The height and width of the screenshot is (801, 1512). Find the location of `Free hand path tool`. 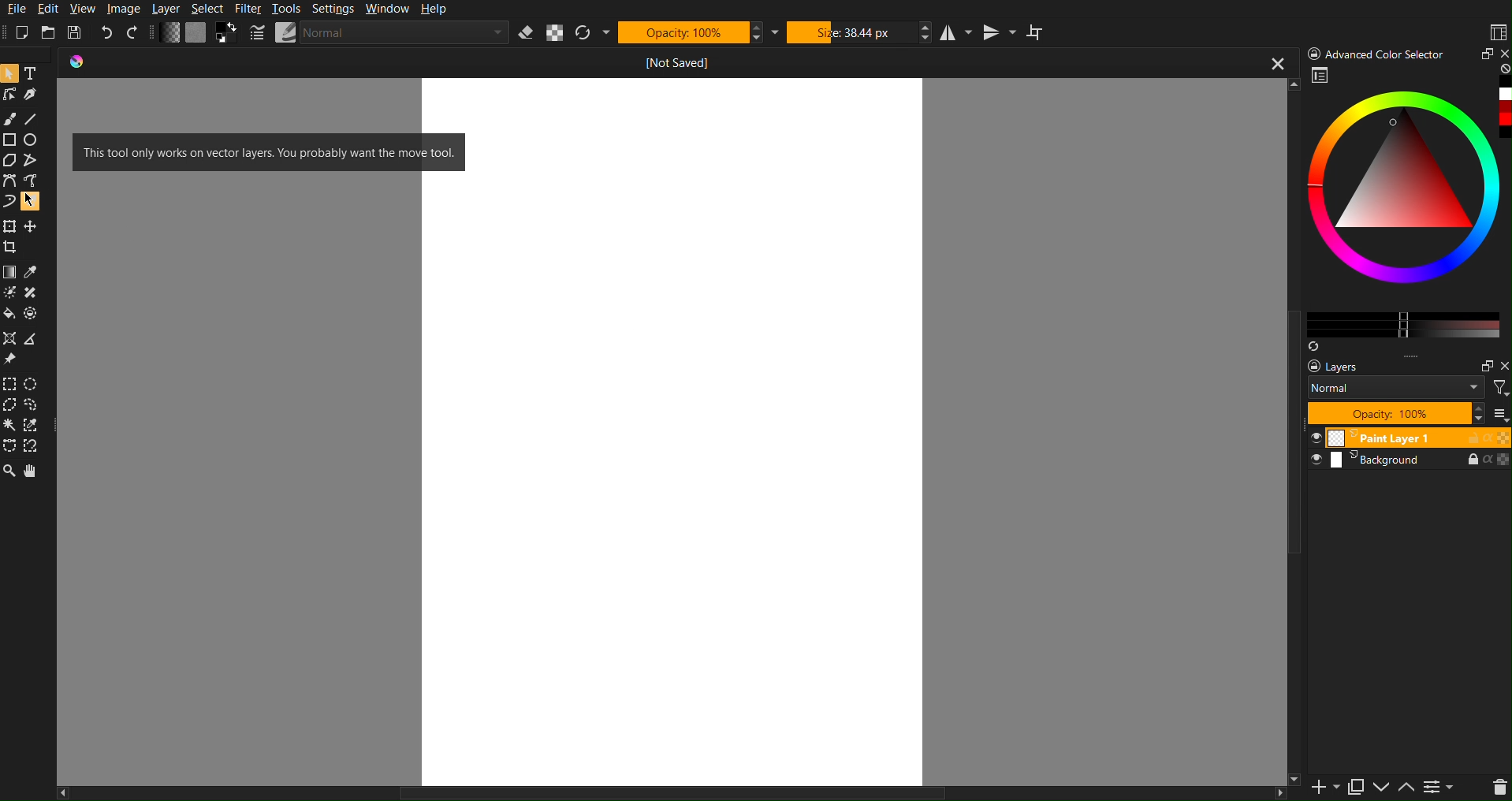

Free hand path tool is located at coordinates (31, 180).